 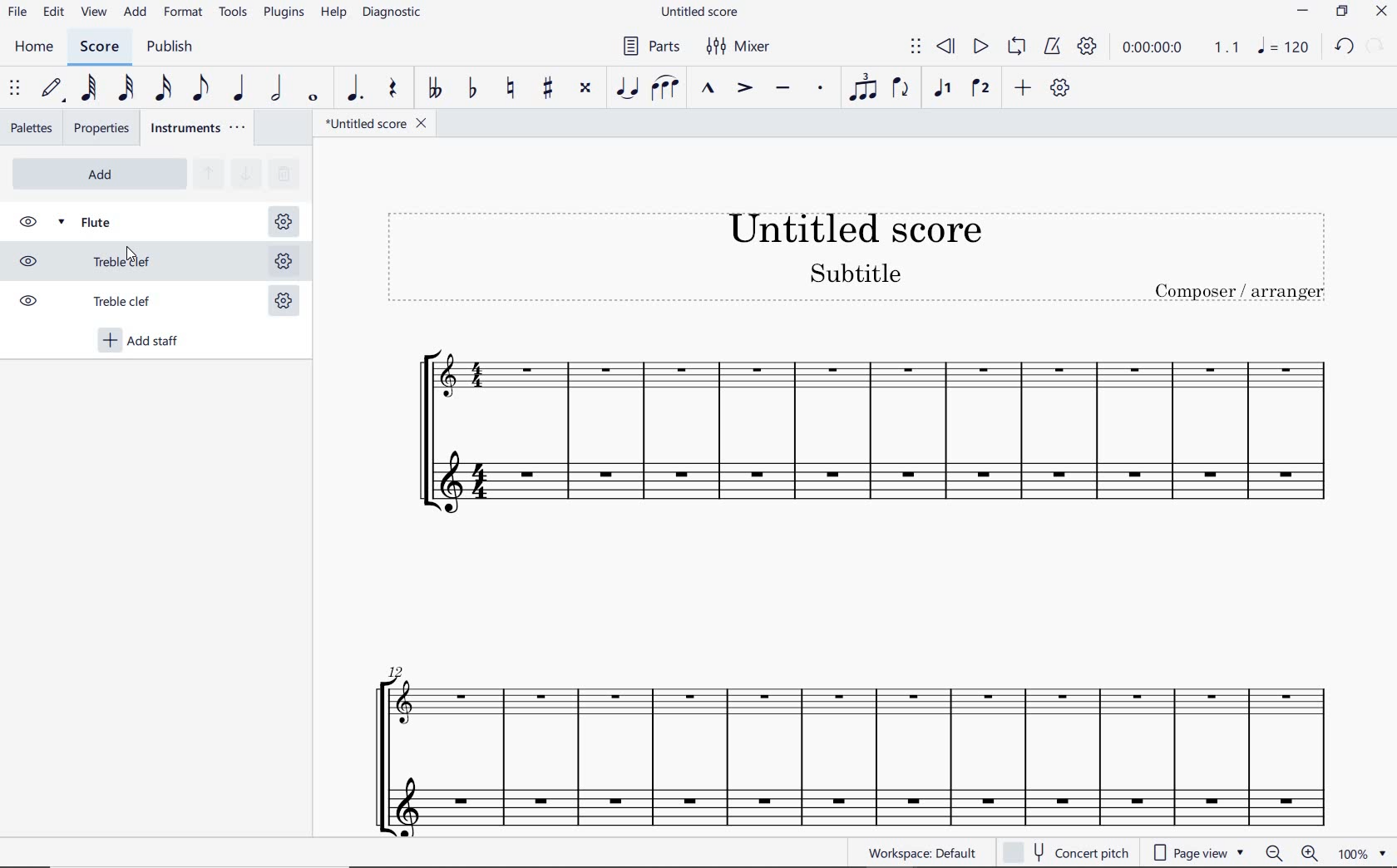 What do you see at coordinates (926, 853) in the screenshot?
I see `WORKSPACE: DEFAULT` at bounding box center [926, 853].